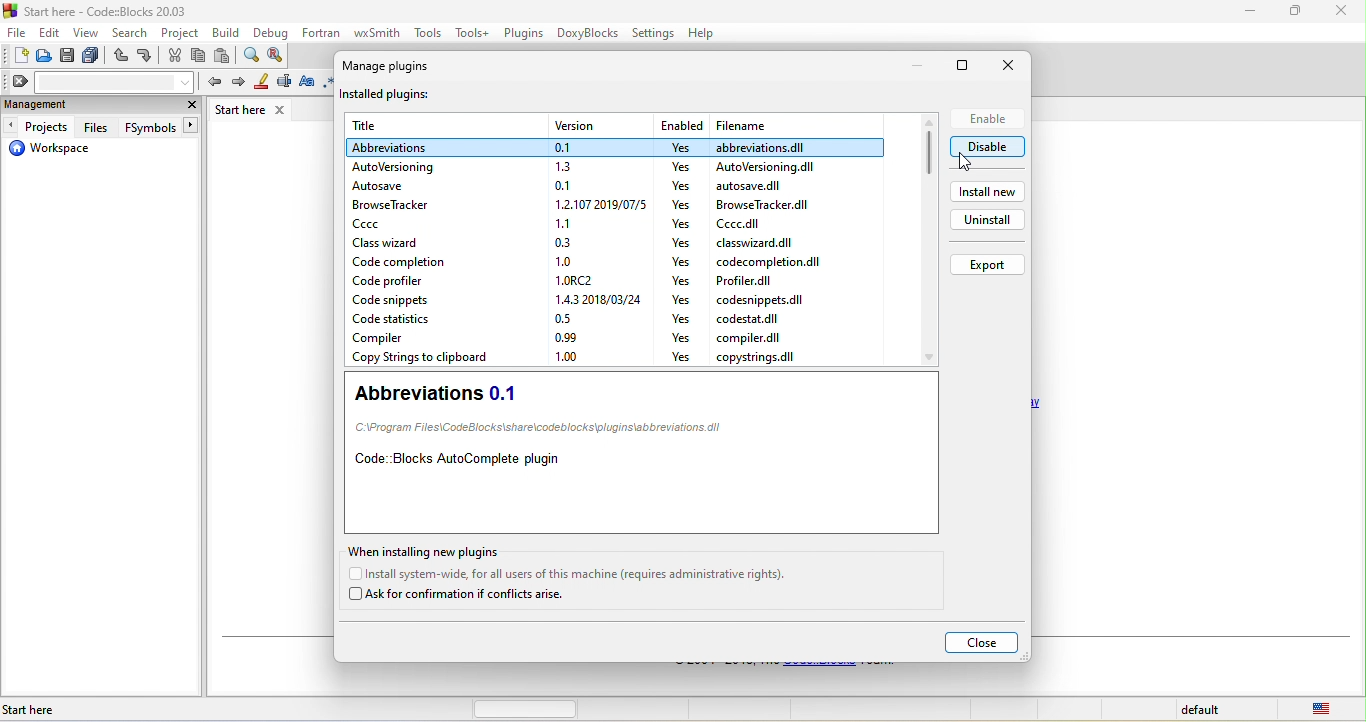 The width and height of the screenshot is (1366, 722). Describe the element at coordinates (682, 316) in the screenshot. I see `yes` at that location.